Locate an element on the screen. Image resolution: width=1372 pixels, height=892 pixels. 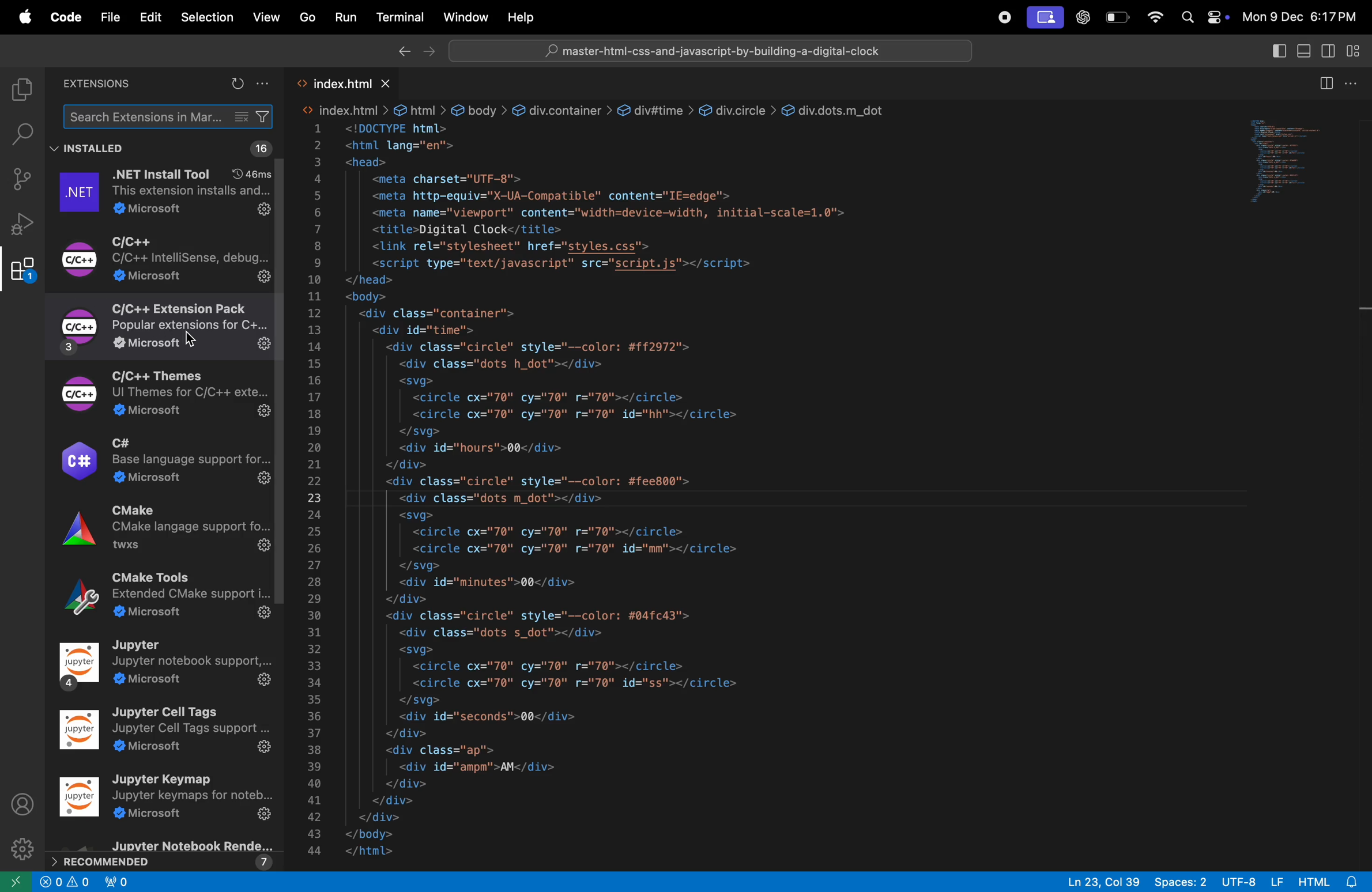
16 is located at coordinates (258, 150).